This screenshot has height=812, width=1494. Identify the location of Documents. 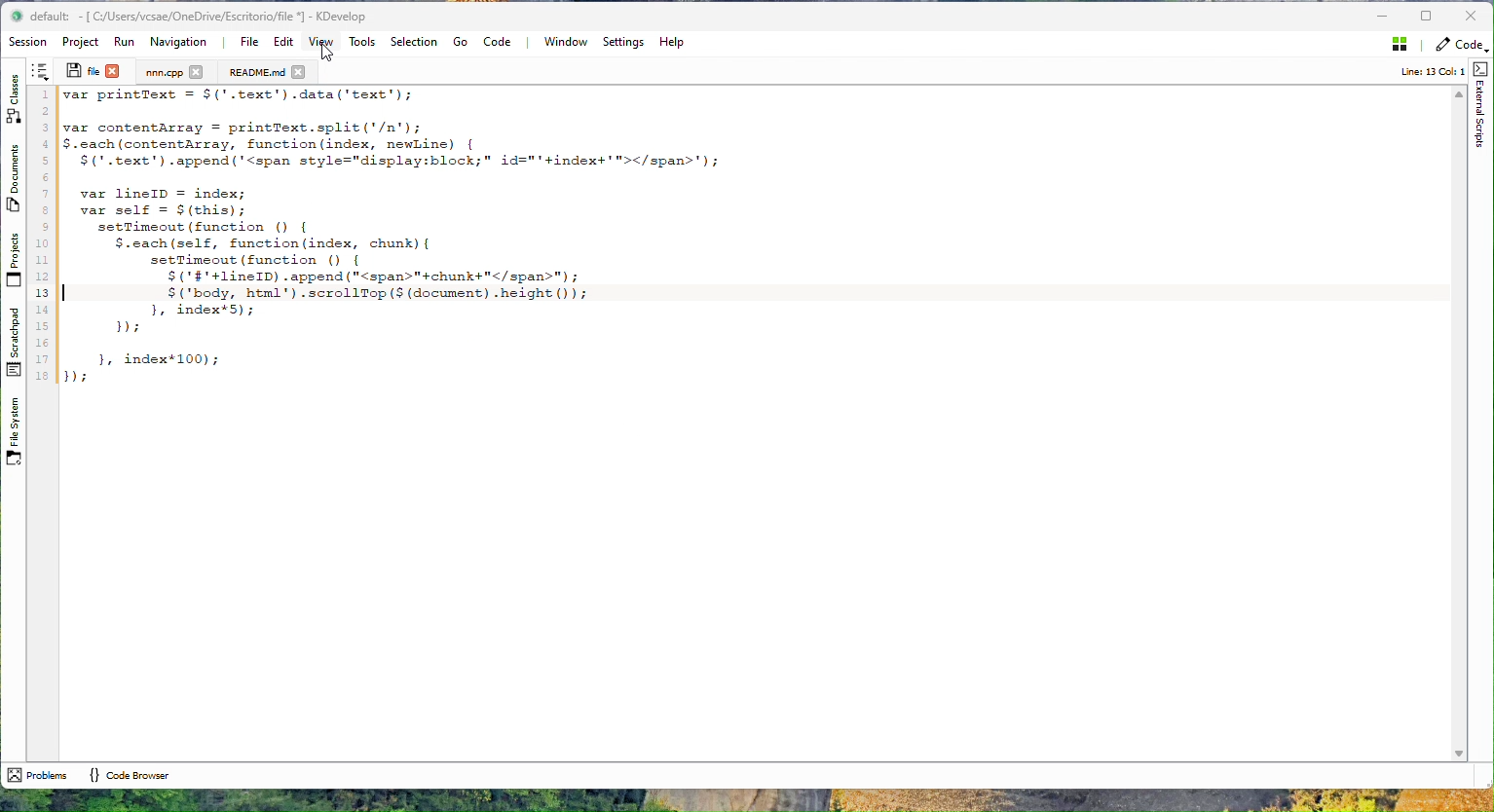
(15, 181).